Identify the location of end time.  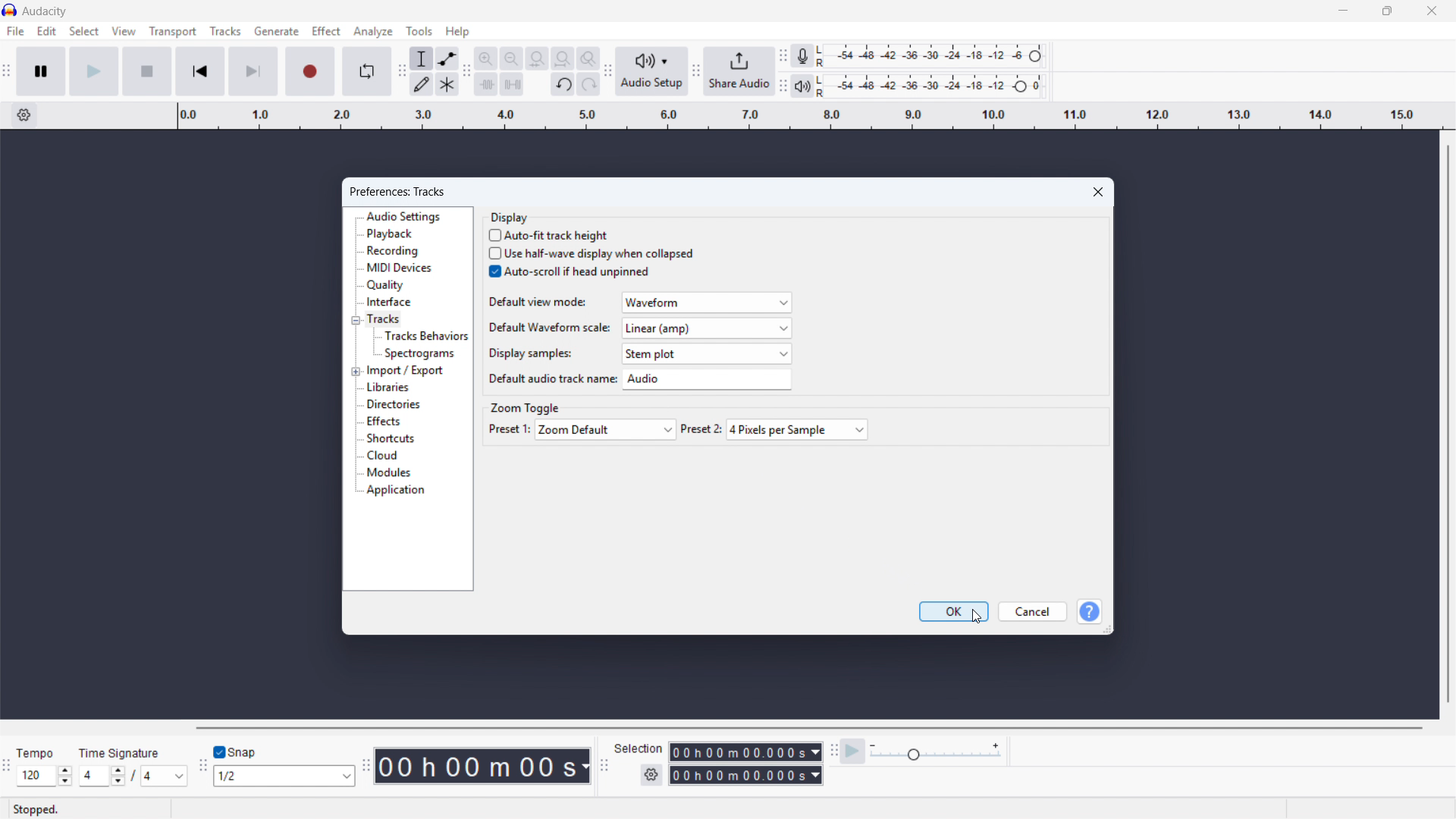
(746, 776).